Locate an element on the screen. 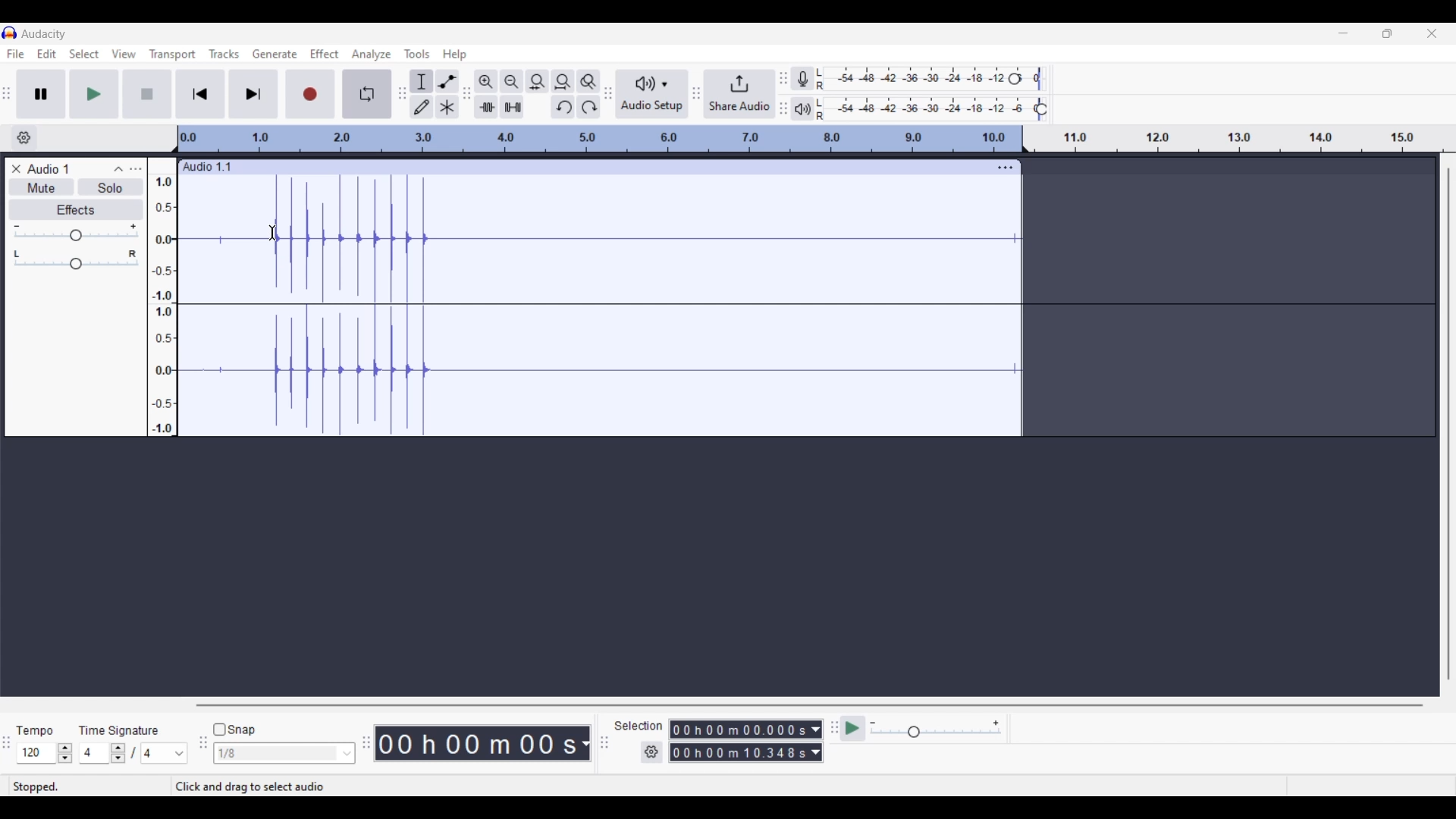 Image resolution: width=1456 pixels, height=819 pixels. Time signature options is located at coordinates (165, 754).